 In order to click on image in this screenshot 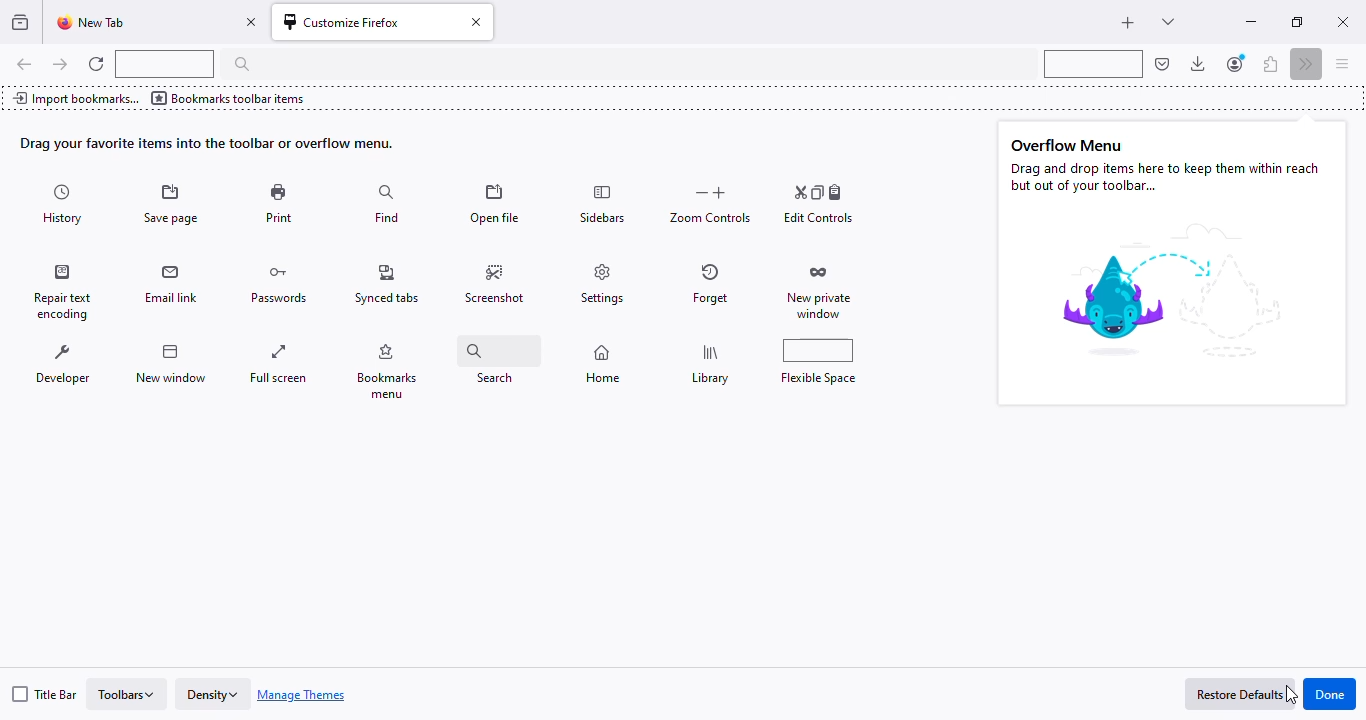, I will do `click(1175, 312)`.